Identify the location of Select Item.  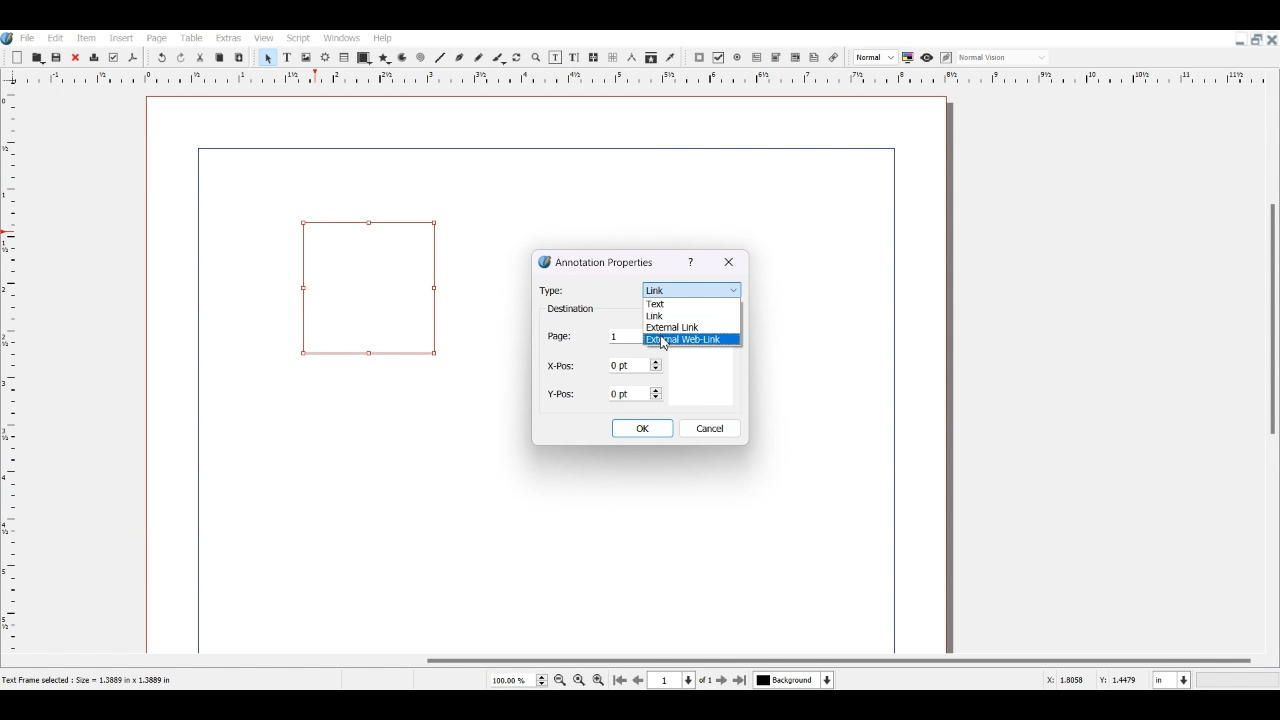
(267, 57).